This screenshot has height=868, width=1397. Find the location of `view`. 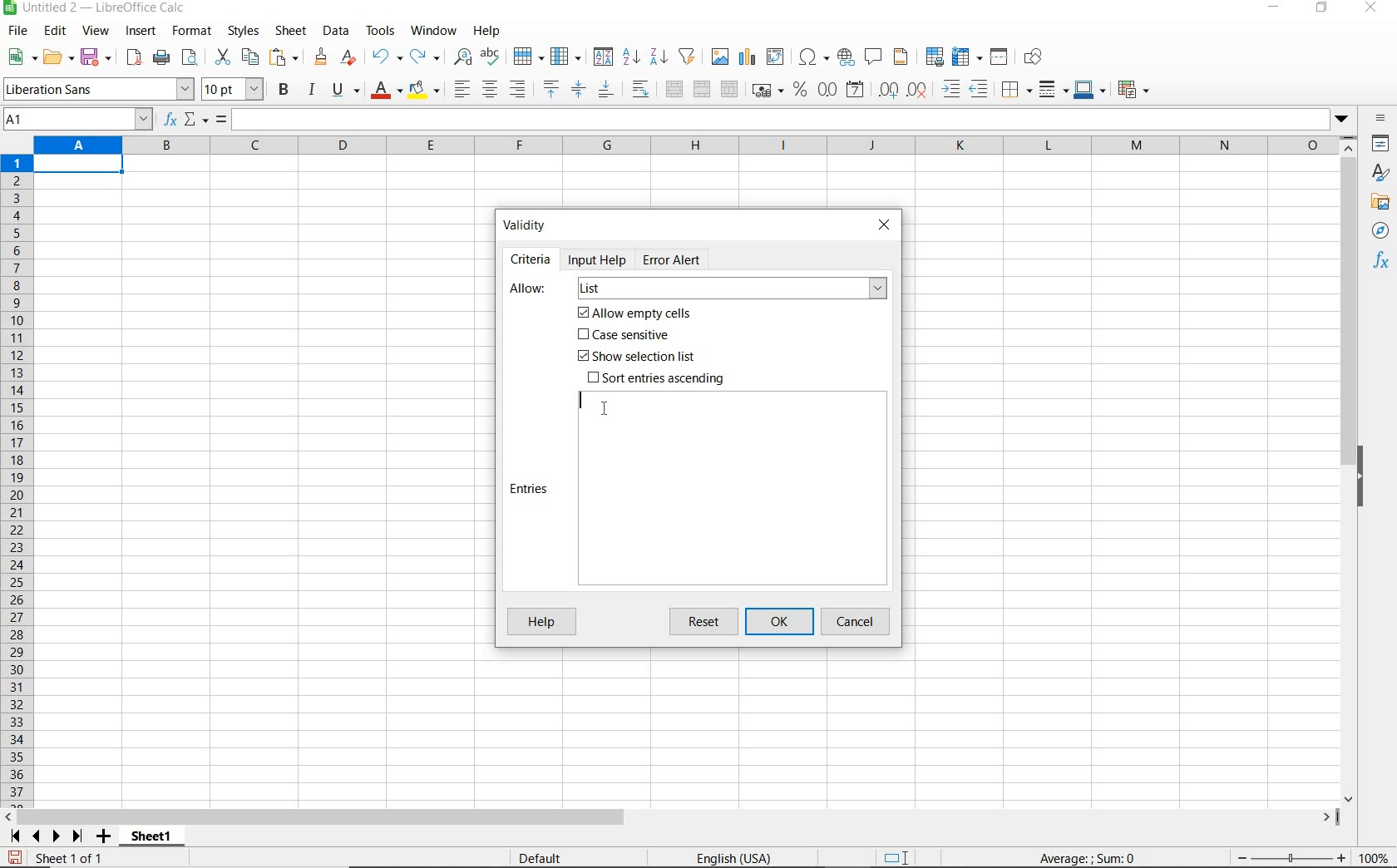

view is located at coordinates (96, 32).